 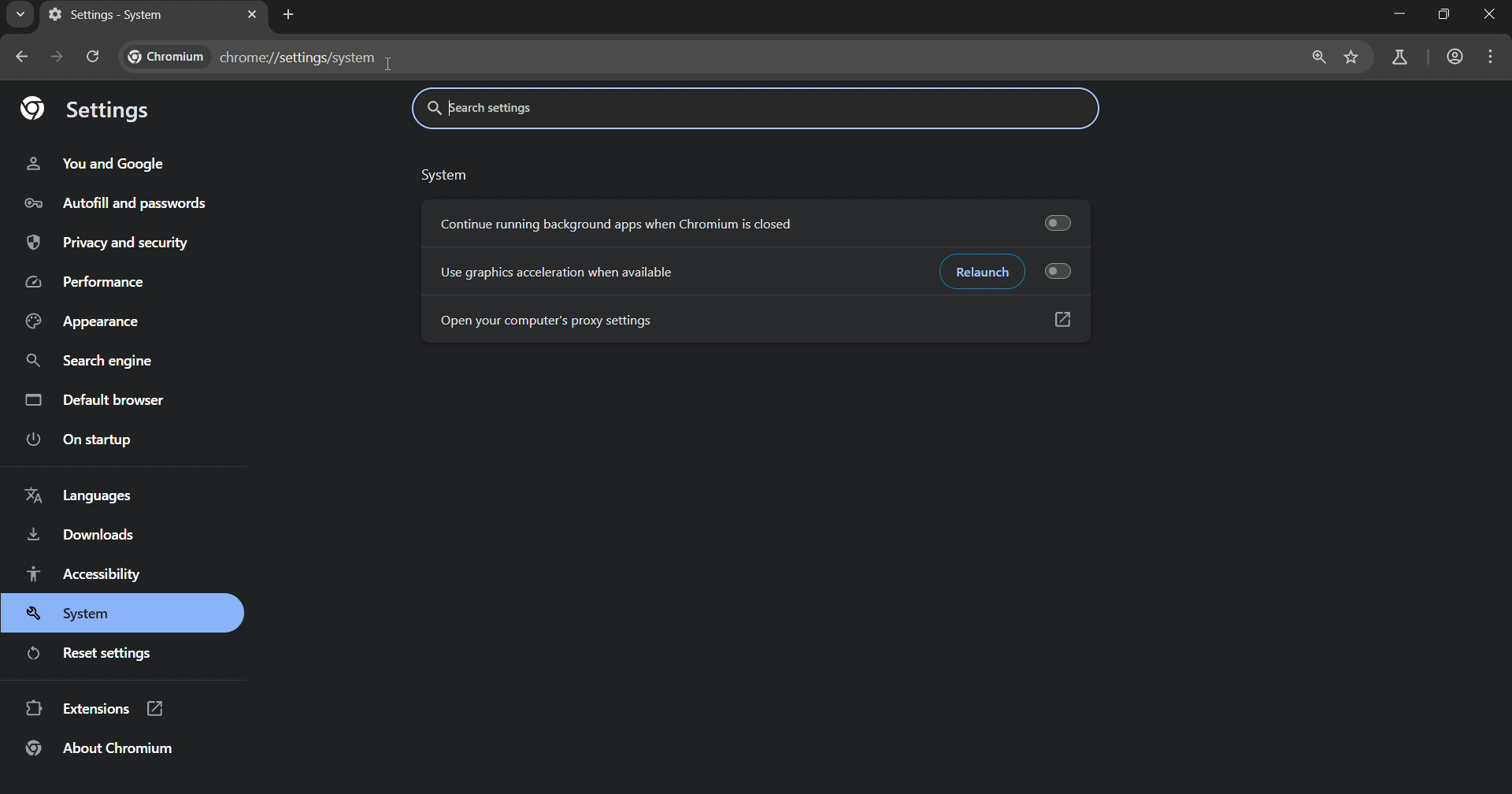 What do you see at coordinates (102, 405) in the screenshot?
I see `default browser` at bounding box center [102, 405].